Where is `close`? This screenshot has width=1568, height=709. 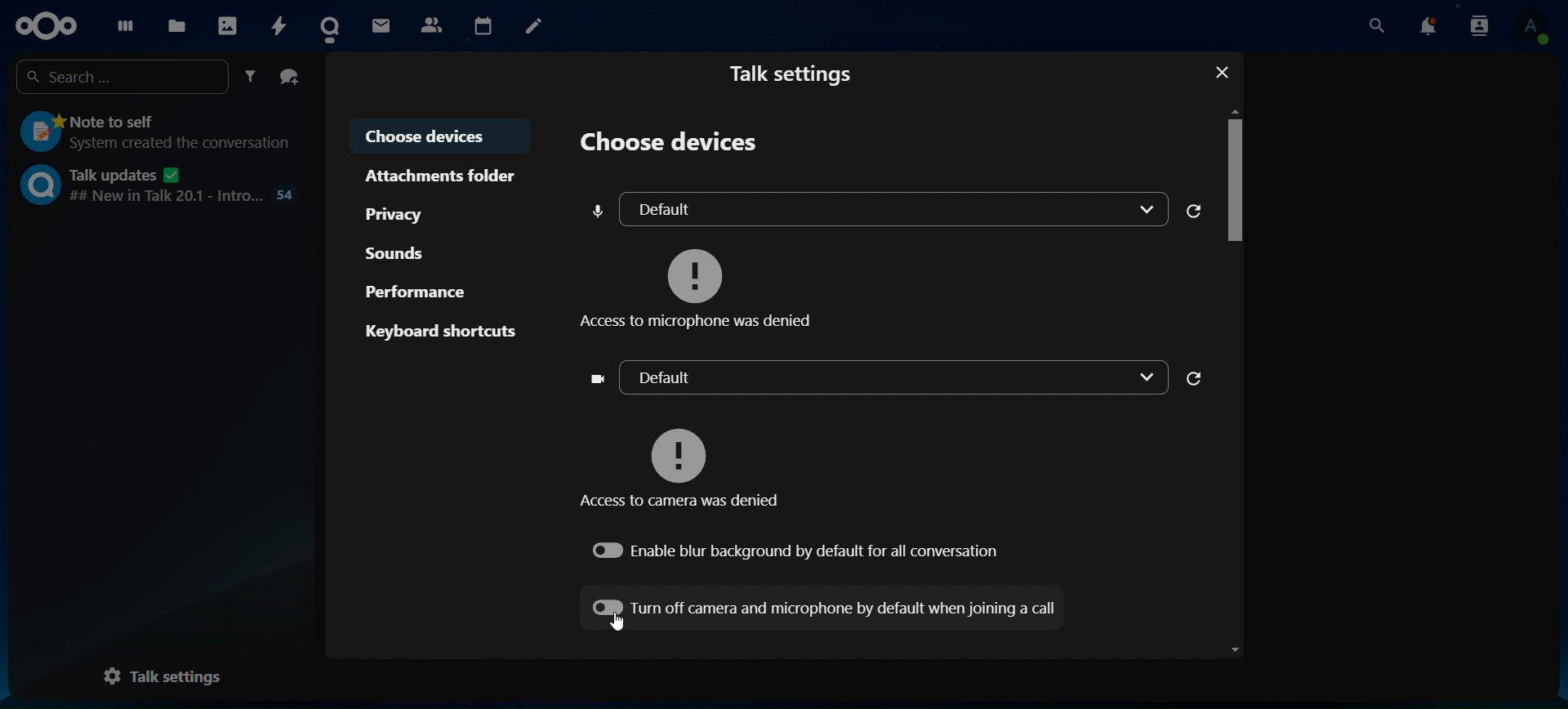 close is located at coordinates (1228, 75).